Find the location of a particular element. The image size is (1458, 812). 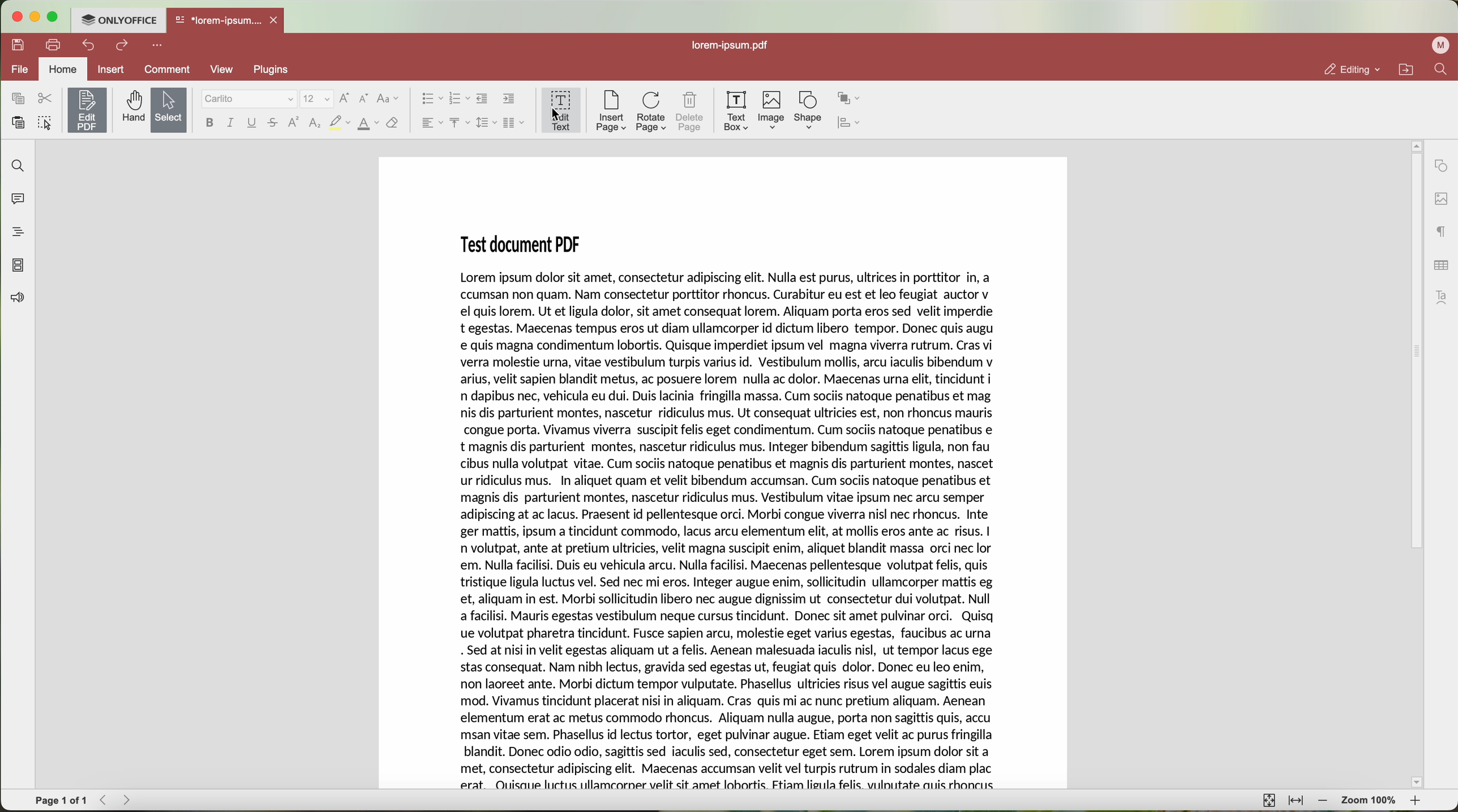

page thumbnails is located at coordinates (18, 265).